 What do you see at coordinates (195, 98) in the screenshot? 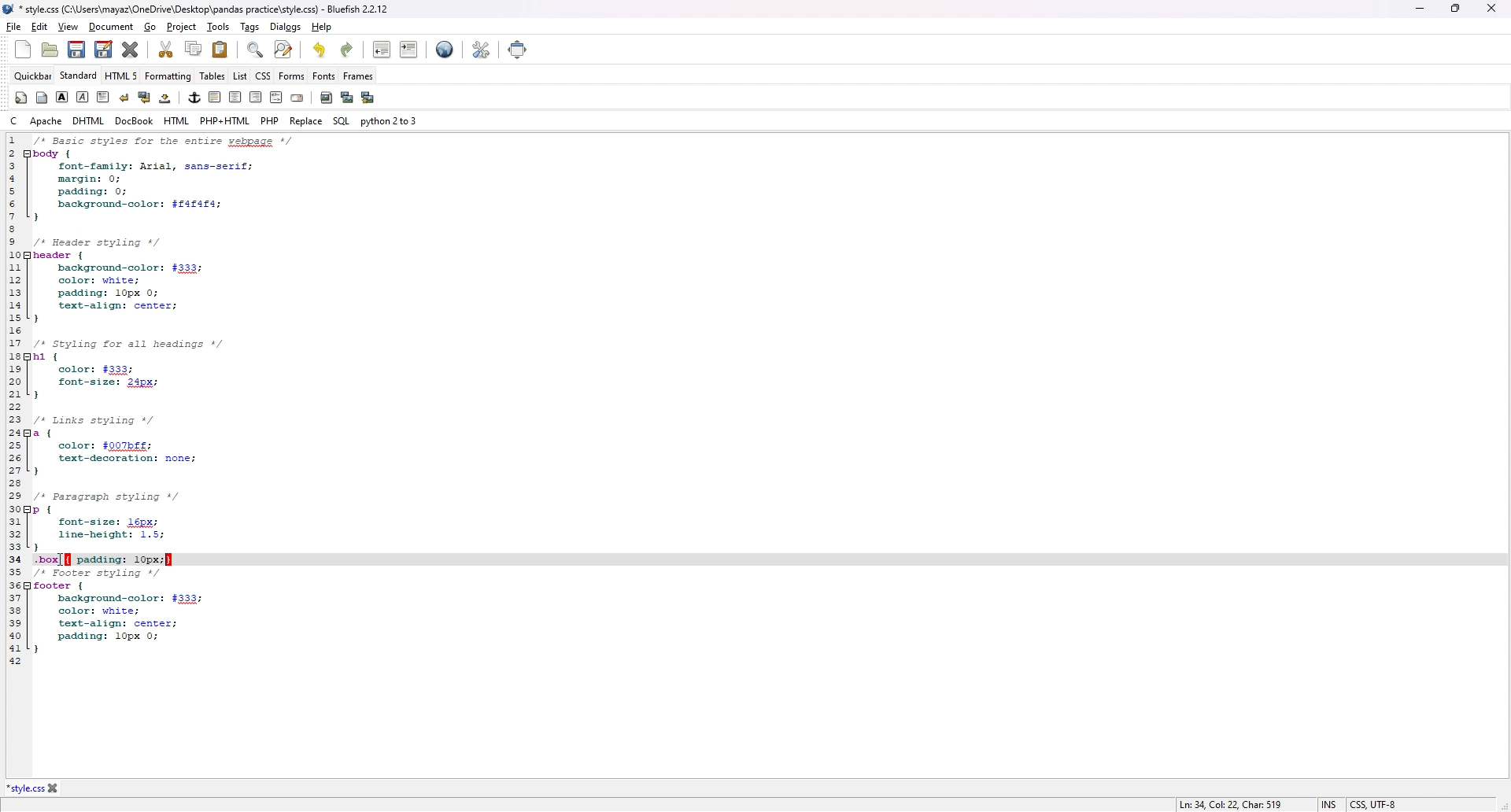
I see `anchor` at bounding box center [195, 98].